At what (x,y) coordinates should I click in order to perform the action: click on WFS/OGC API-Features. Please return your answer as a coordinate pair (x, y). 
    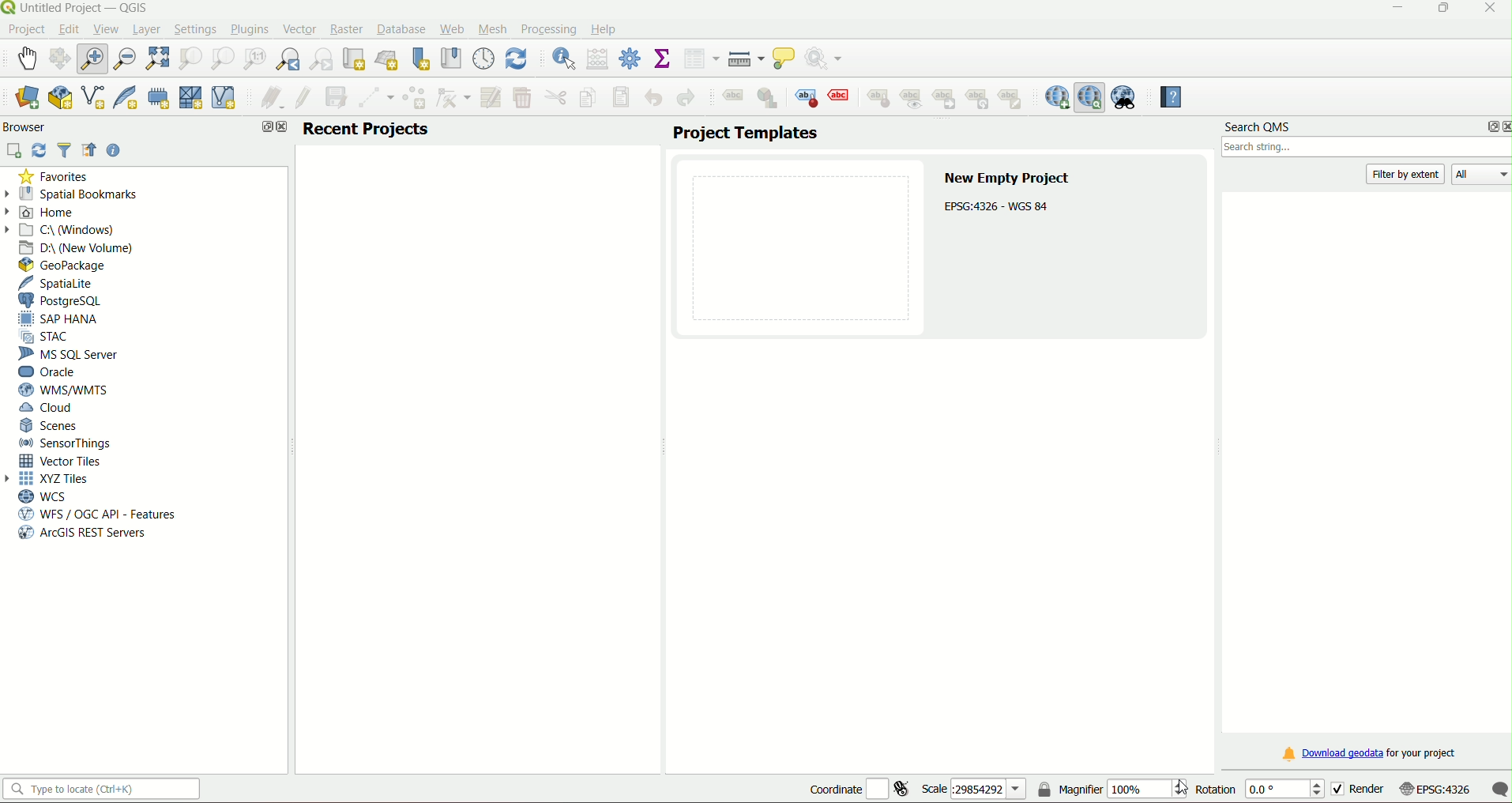
    Looking at the image, I should click on (97, 515).